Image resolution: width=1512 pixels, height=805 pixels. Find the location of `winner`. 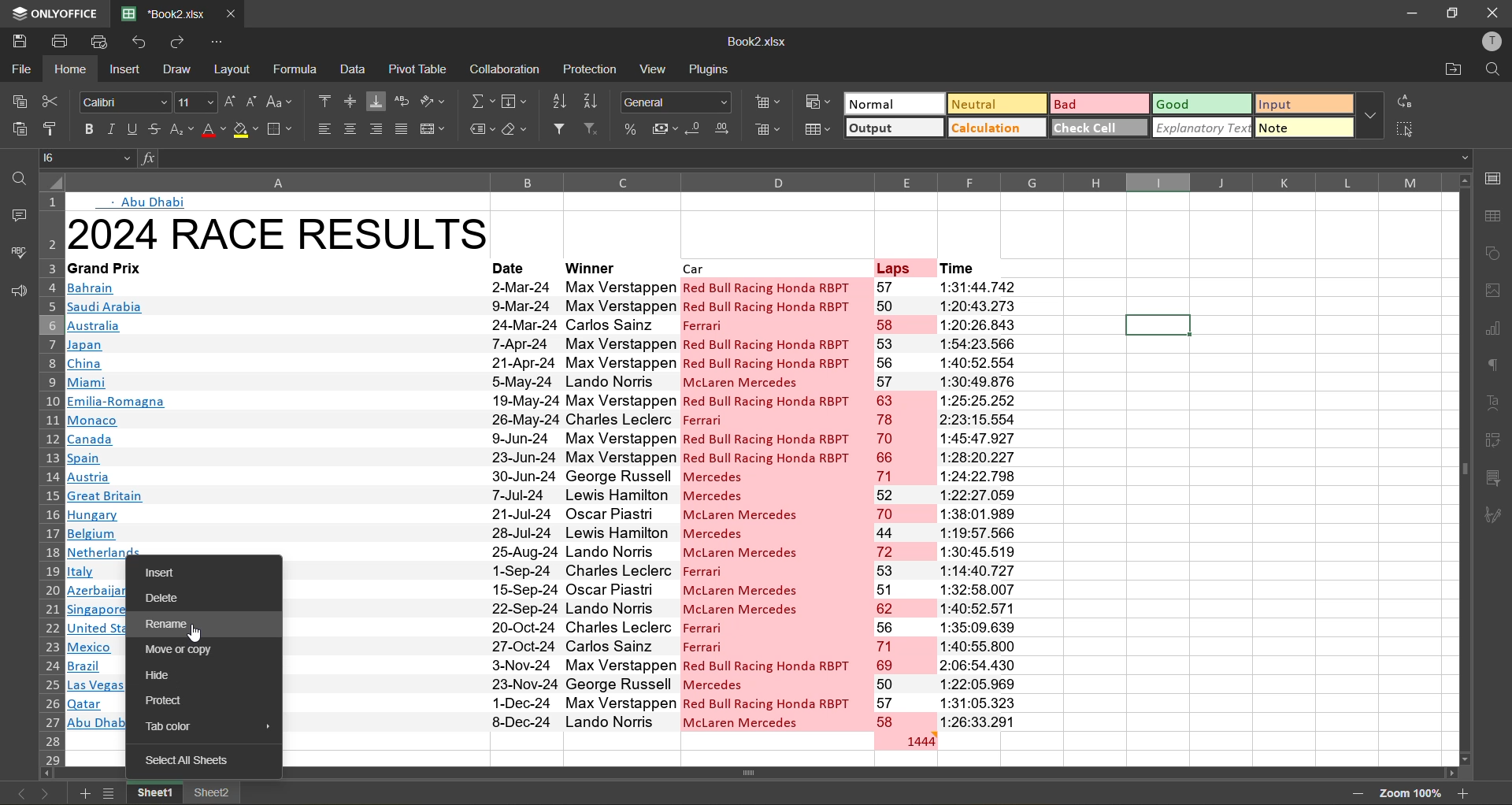

winner is located at coordinates (616, 265).